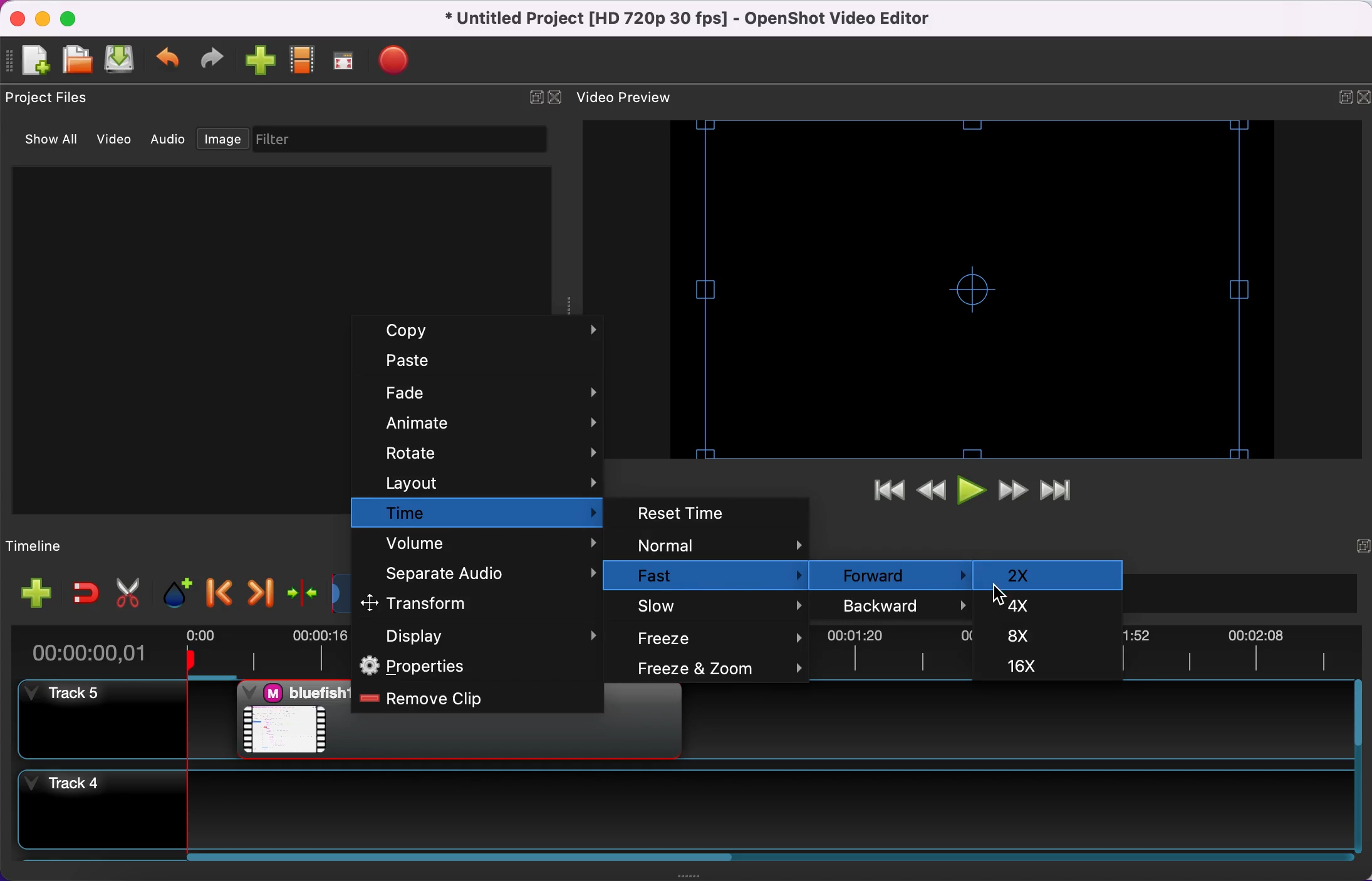 This screenshot has width=1372, height=881. Describe the element at coordinates (261, 594) in the screenshot. I see `next marker` at that location.